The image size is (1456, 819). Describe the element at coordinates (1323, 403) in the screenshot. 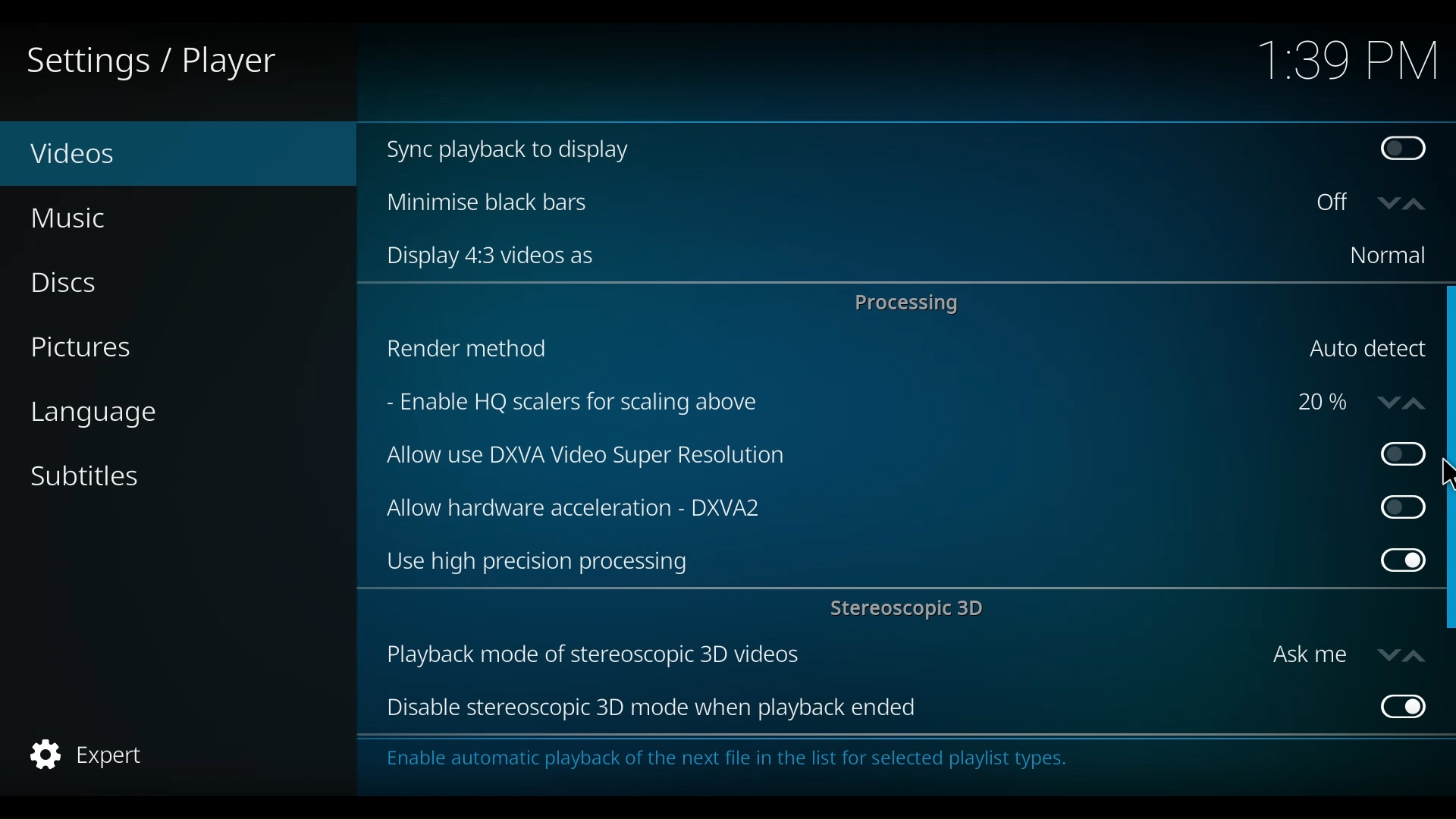

I see `20%` at that location.